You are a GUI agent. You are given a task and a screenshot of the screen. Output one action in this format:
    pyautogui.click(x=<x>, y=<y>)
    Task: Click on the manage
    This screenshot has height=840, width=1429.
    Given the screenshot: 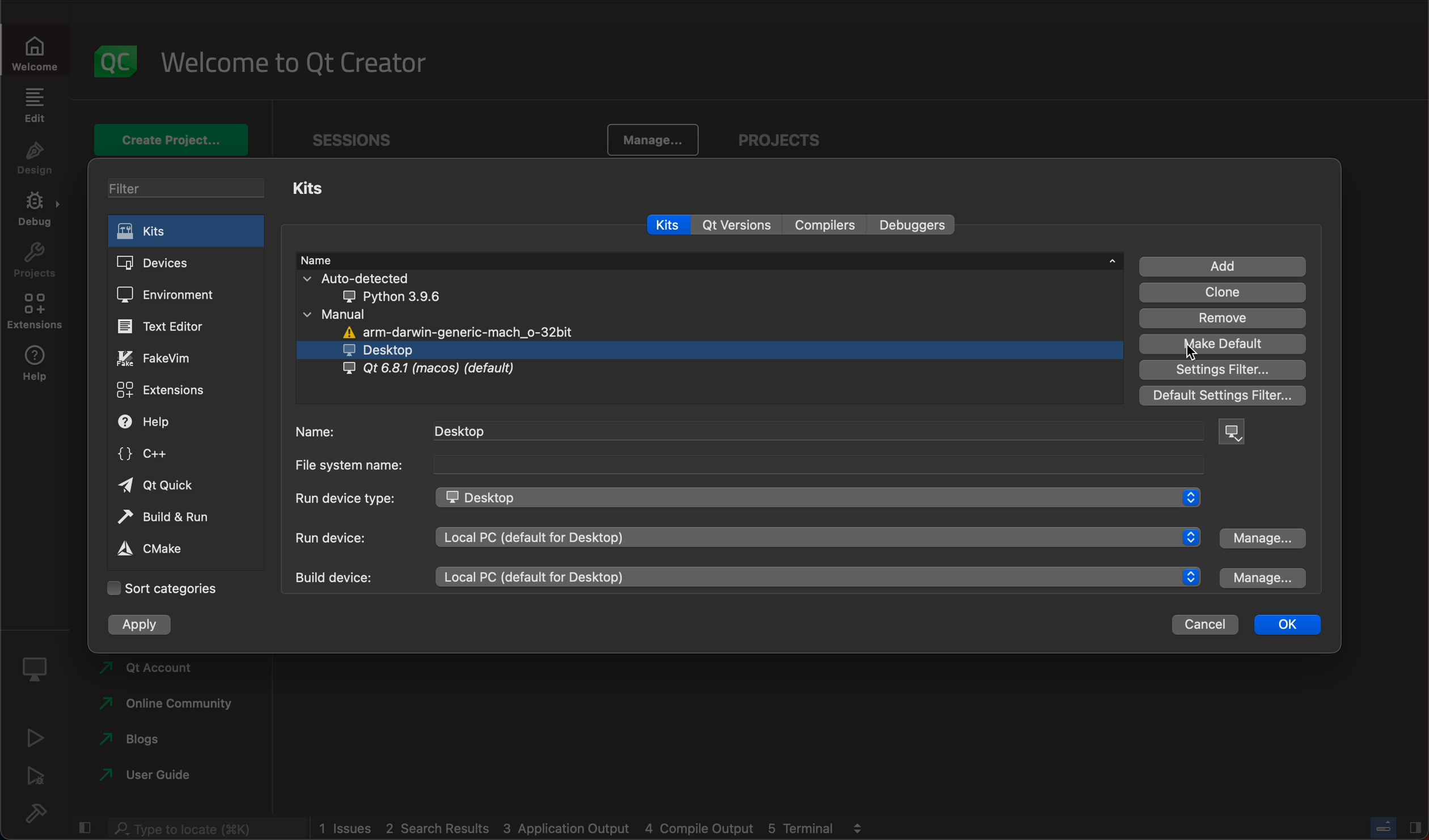 What is the action you would take?
    pyautogui.click(x=653, y=138)
    